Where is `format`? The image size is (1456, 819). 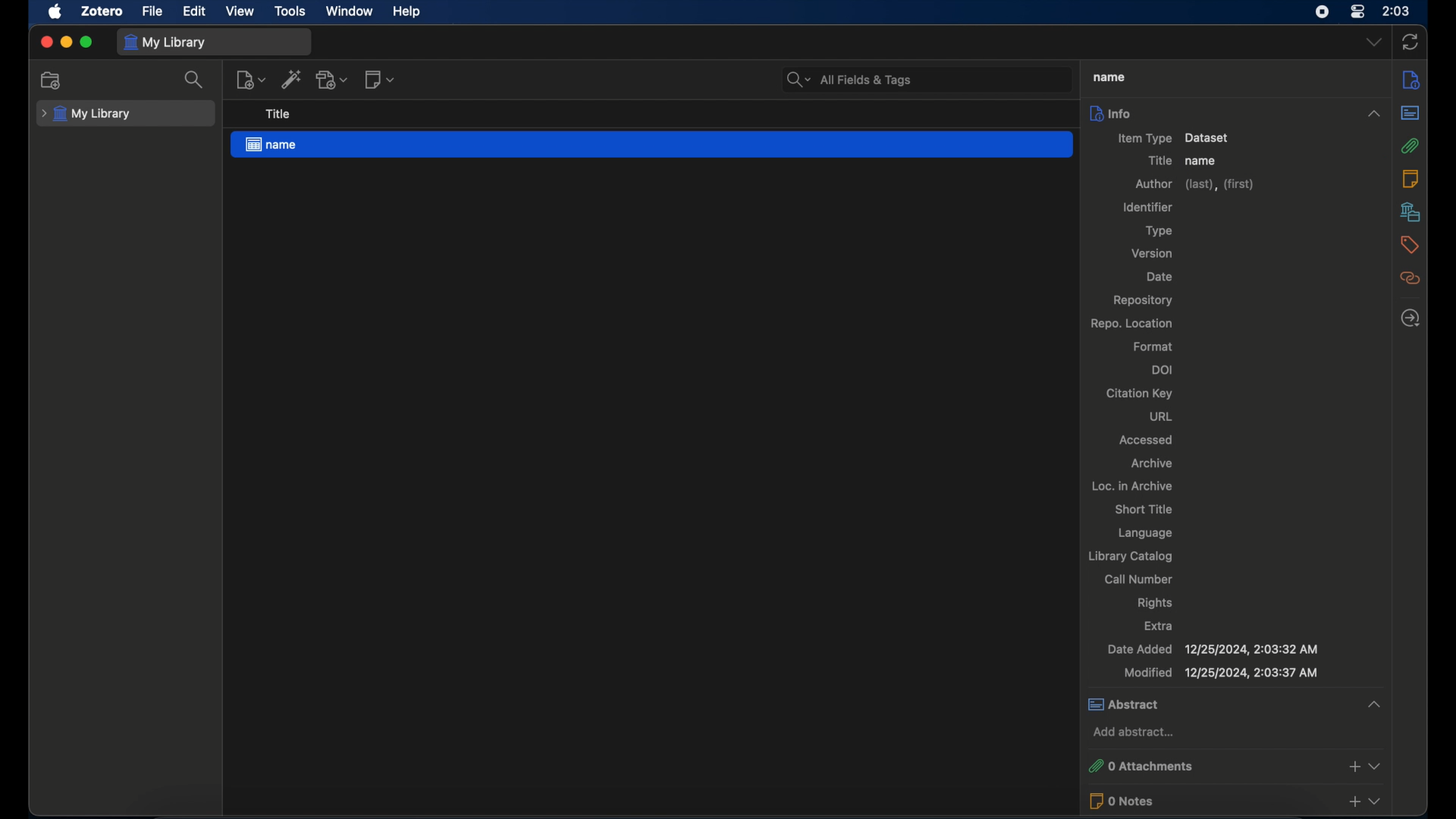 format is located at coordinates (1153, 347).